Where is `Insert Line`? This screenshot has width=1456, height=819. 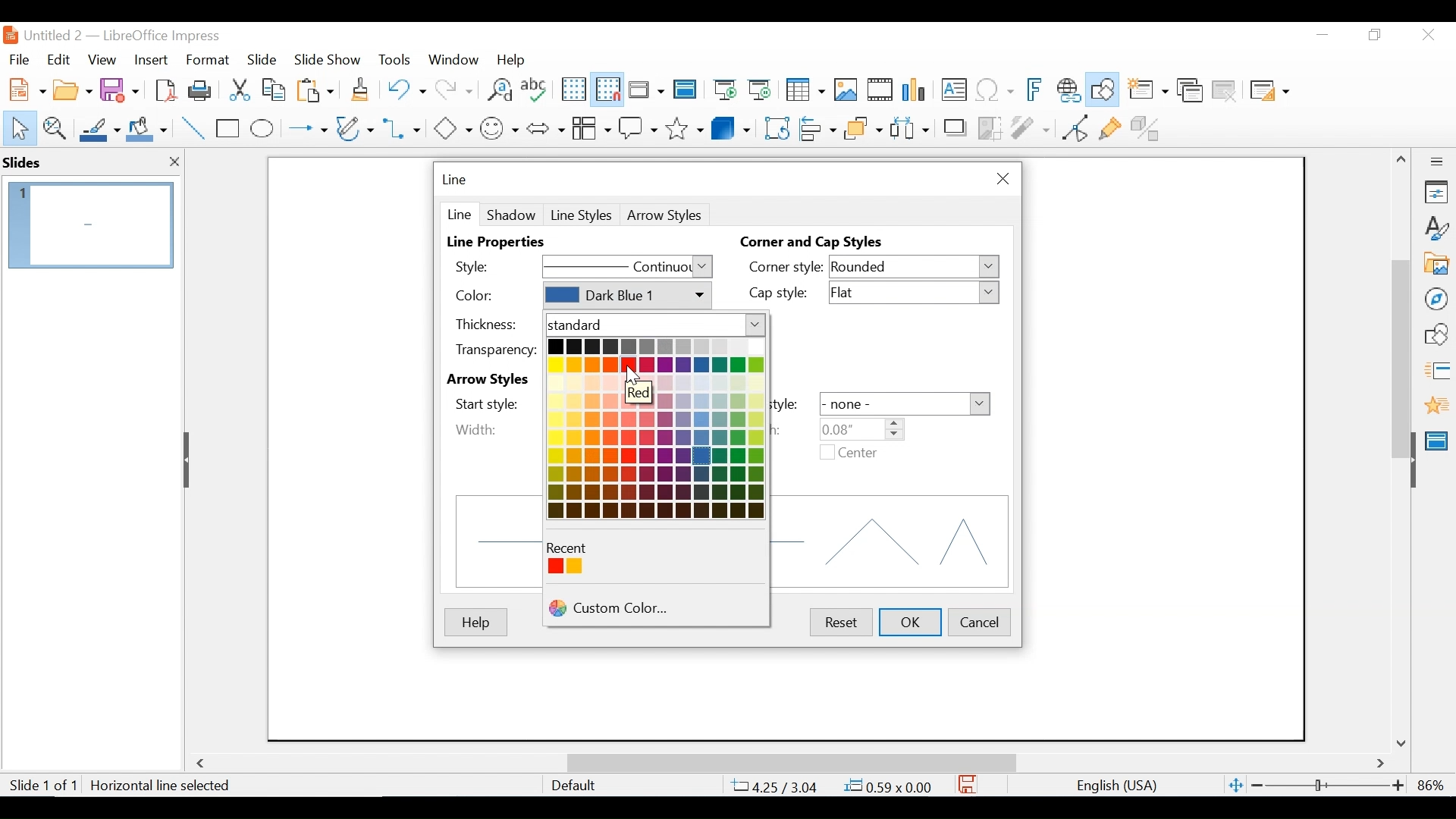
Insert Line is located at coordinates (194, 129).